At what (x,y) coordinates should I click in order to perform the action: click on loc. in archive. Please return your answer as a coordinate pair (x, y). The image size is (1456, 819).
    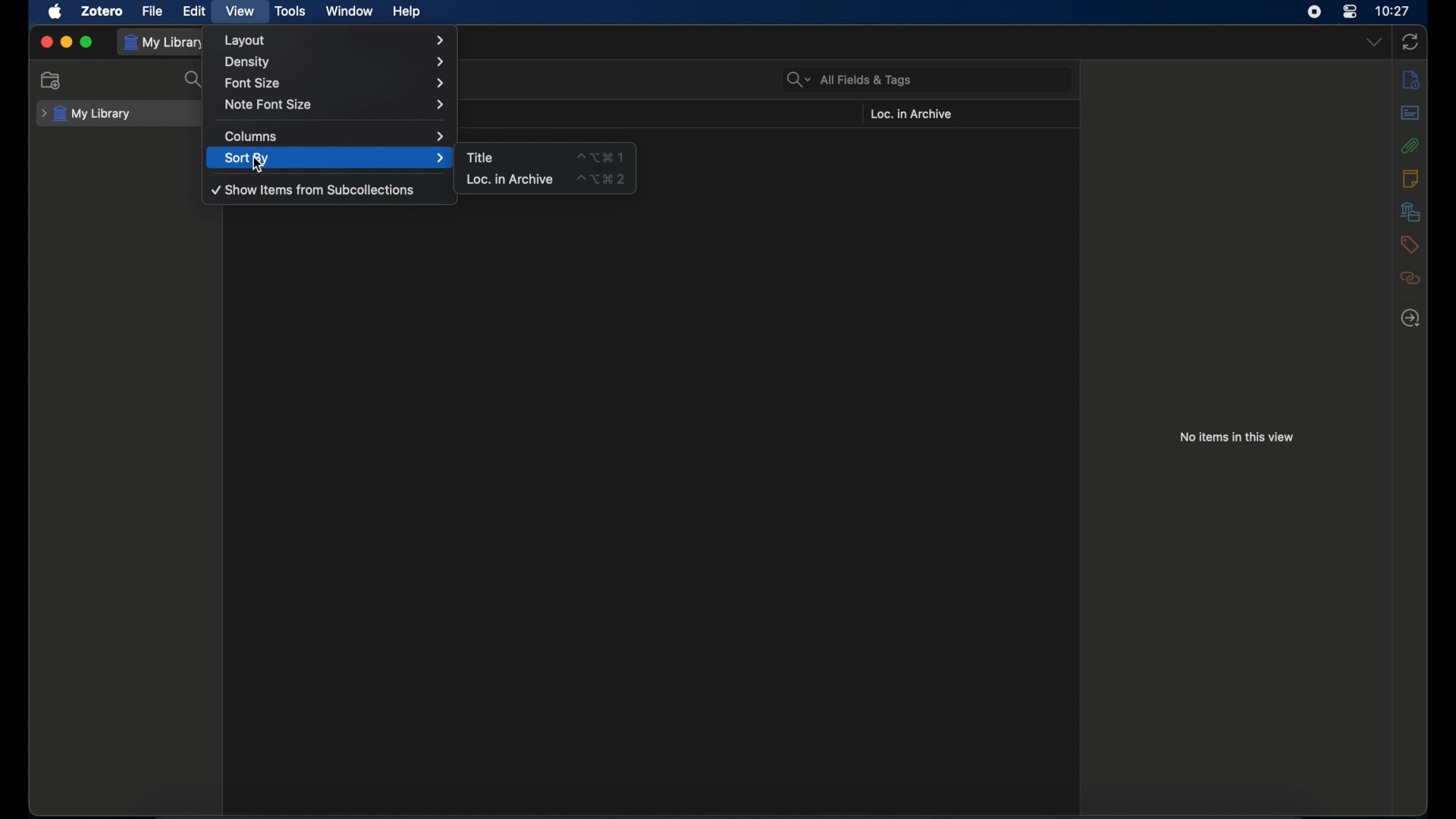
    Looking at the image, I should click on (510, 178).